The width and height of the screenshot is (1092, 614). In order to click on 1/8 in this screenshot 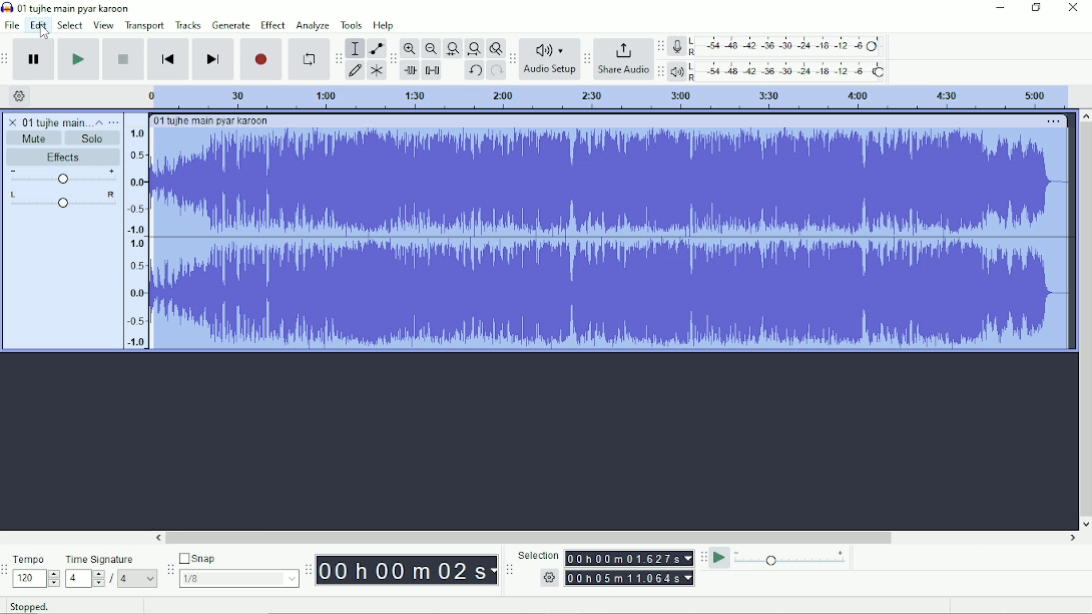, I will do `click(239, 578)`.